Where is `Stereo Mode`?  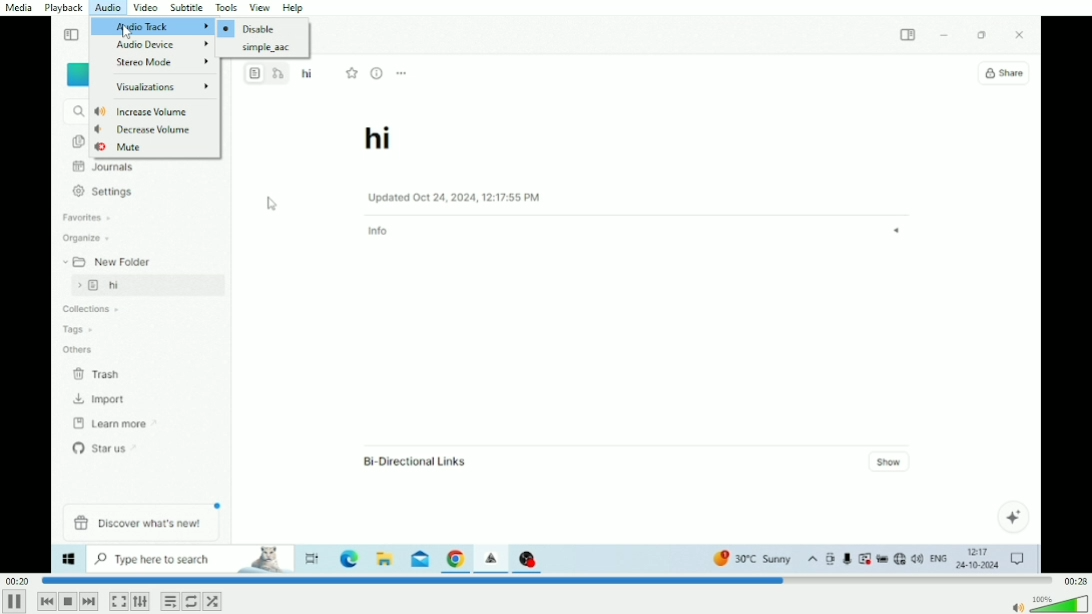 Stereo Mode is located at coordinates (164, 63).